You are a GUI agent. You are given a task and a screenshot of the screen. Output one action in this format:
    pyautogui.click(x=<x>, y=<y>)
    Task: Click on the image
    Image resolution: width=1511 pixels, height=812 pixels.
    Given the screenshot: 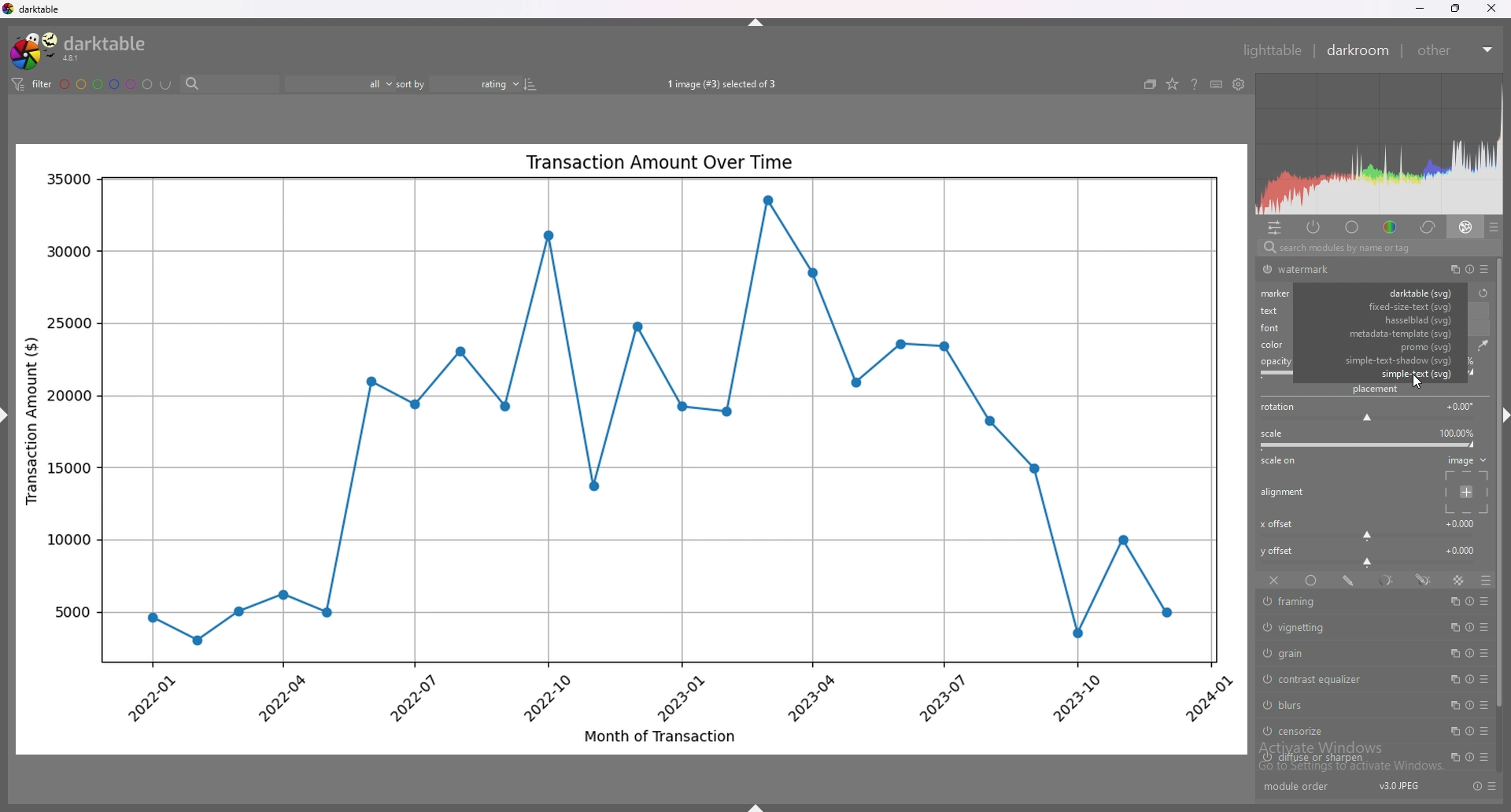 What is the action you would take?
    pyautogui.click(x=1467, y=460)
    